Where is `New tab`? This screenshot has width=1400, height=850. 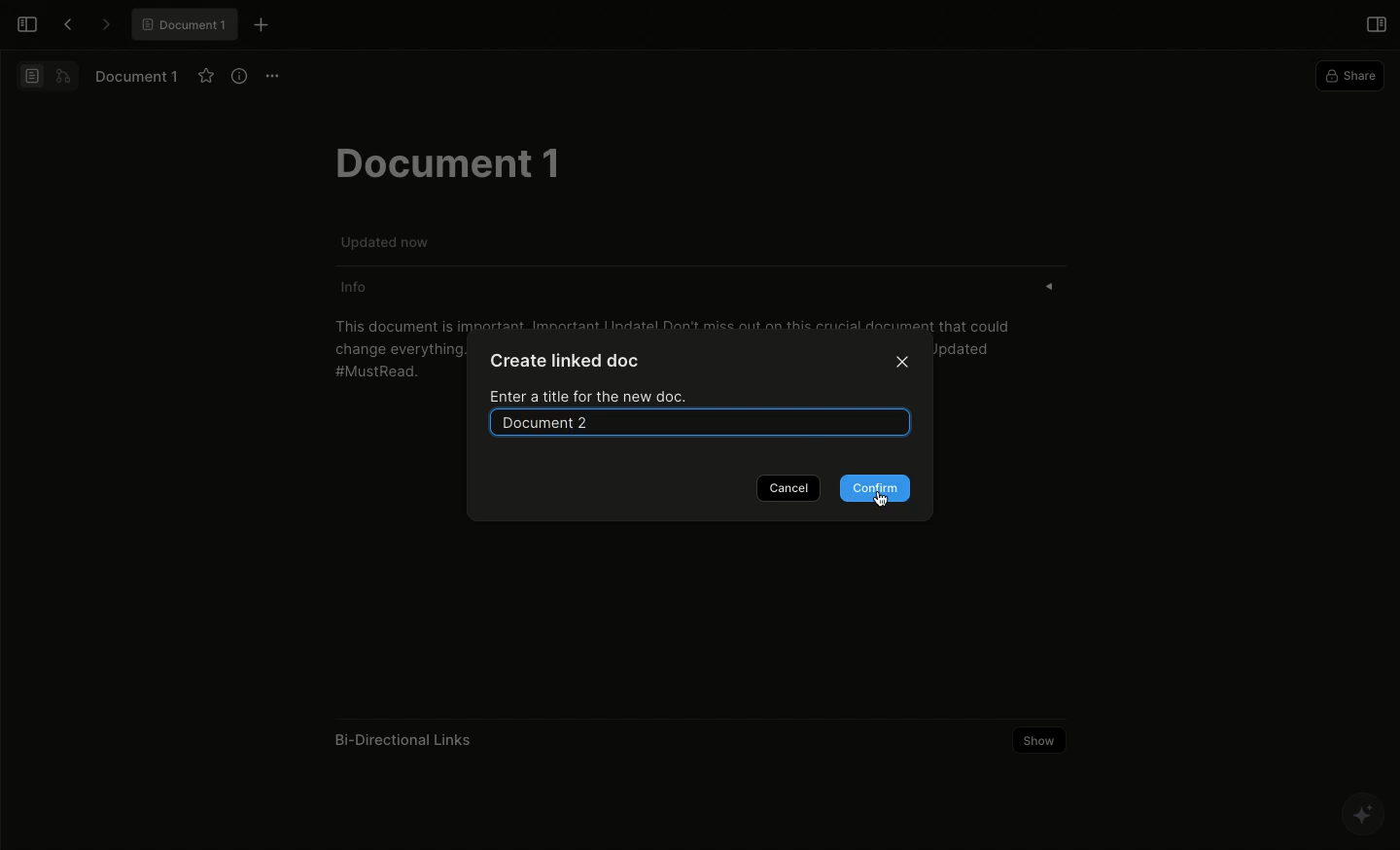
New tab is located at coordinates (262, 26).